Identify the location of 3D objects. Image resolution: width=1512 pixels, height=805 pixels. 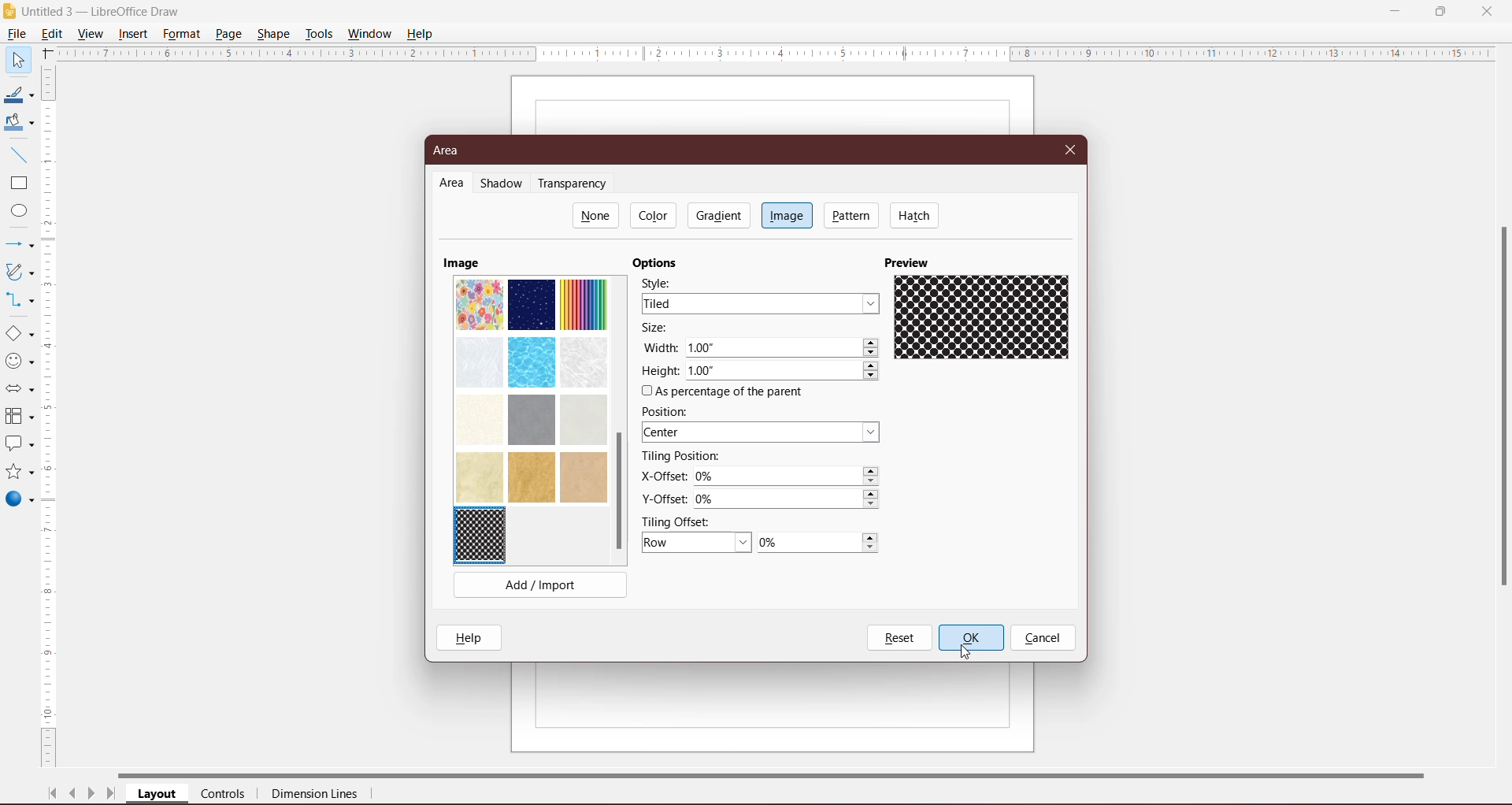
(19, 501).